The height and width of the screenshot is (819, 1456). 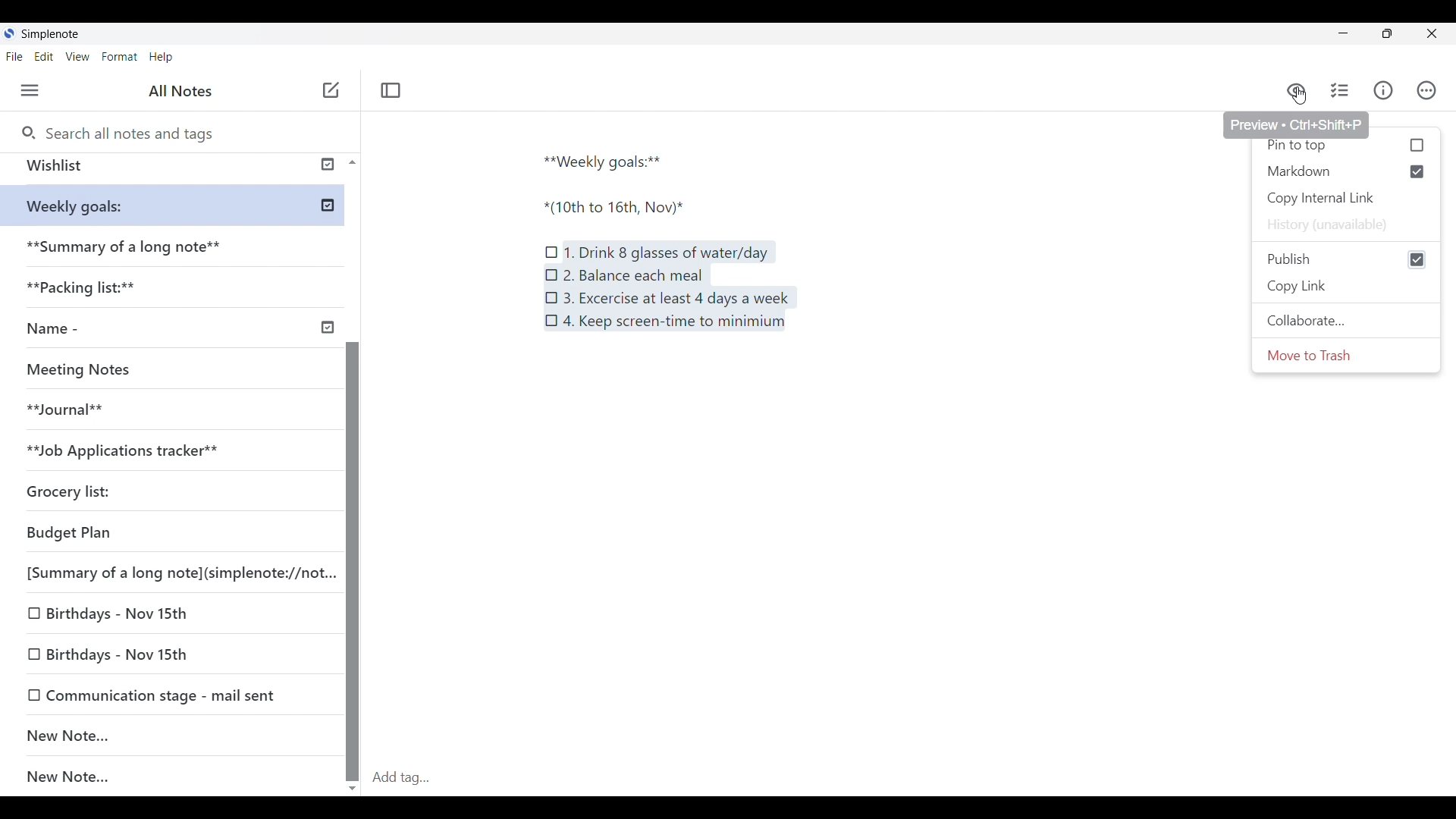 What do you see at coordinates (1344, 36) in the screenshot?
I see `minimize` at bounding box center [1344, 36].